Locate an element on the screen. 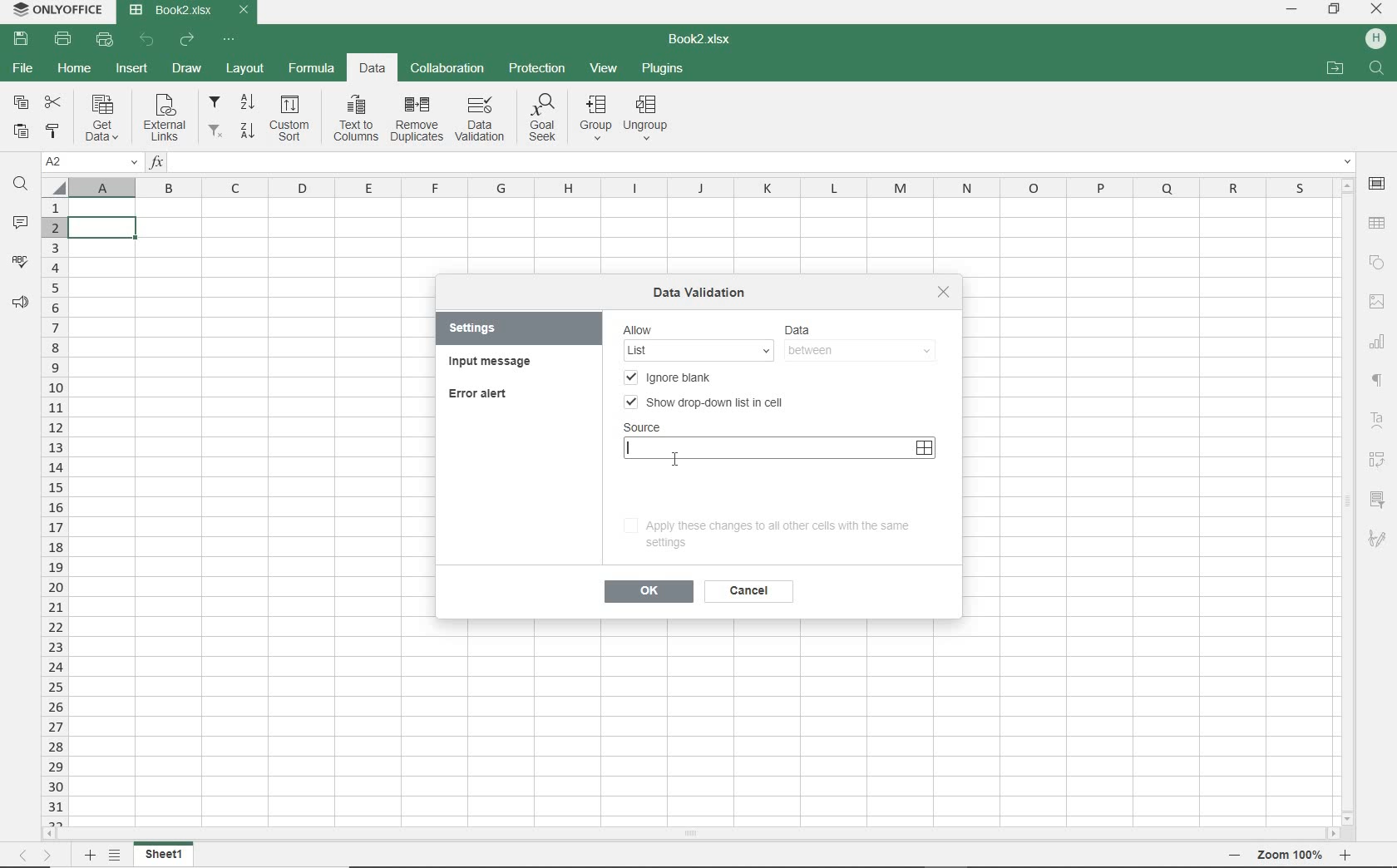 The height and width of the screenshot is (868, 1397). ANY VALUE is located at coordinates (699, 350).